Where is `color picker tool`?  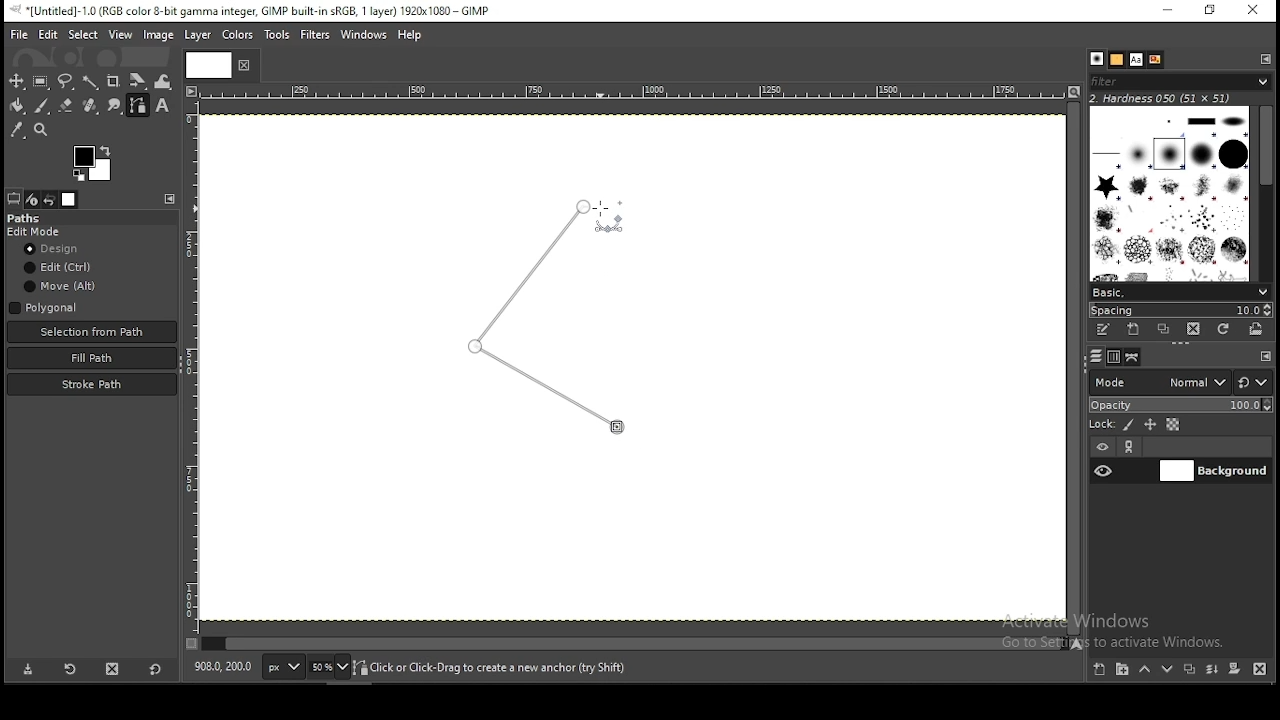
color picker tool is located at coordinates (18, 130).